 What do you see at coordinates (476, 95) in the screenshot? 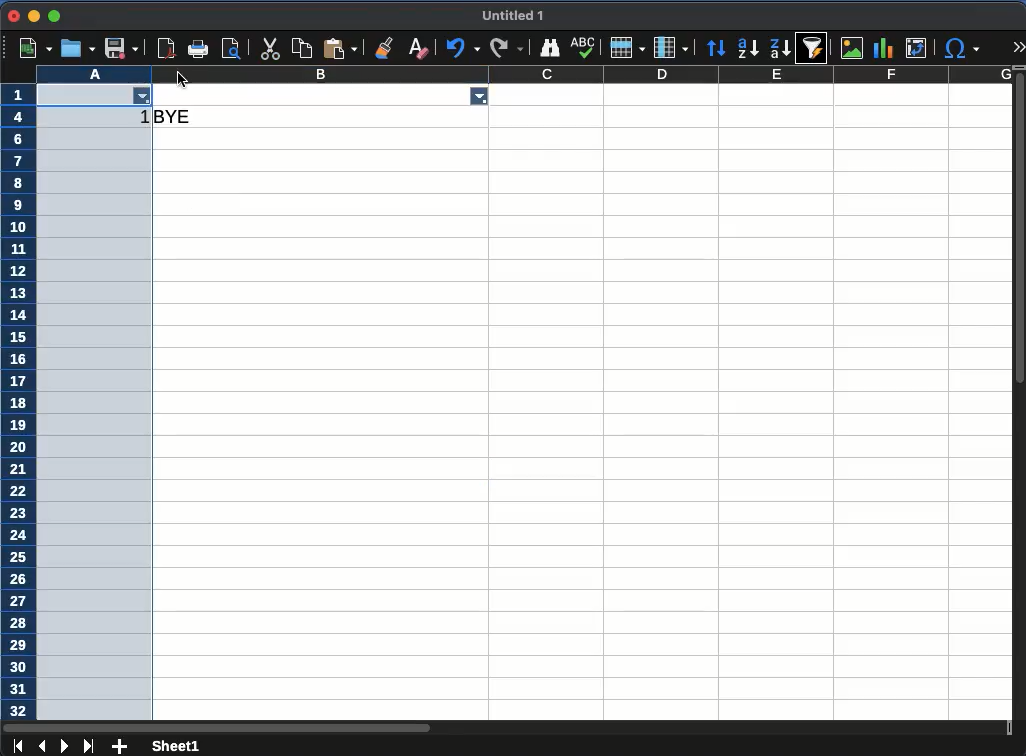
I see `filter` at bounding box center [476, 95].